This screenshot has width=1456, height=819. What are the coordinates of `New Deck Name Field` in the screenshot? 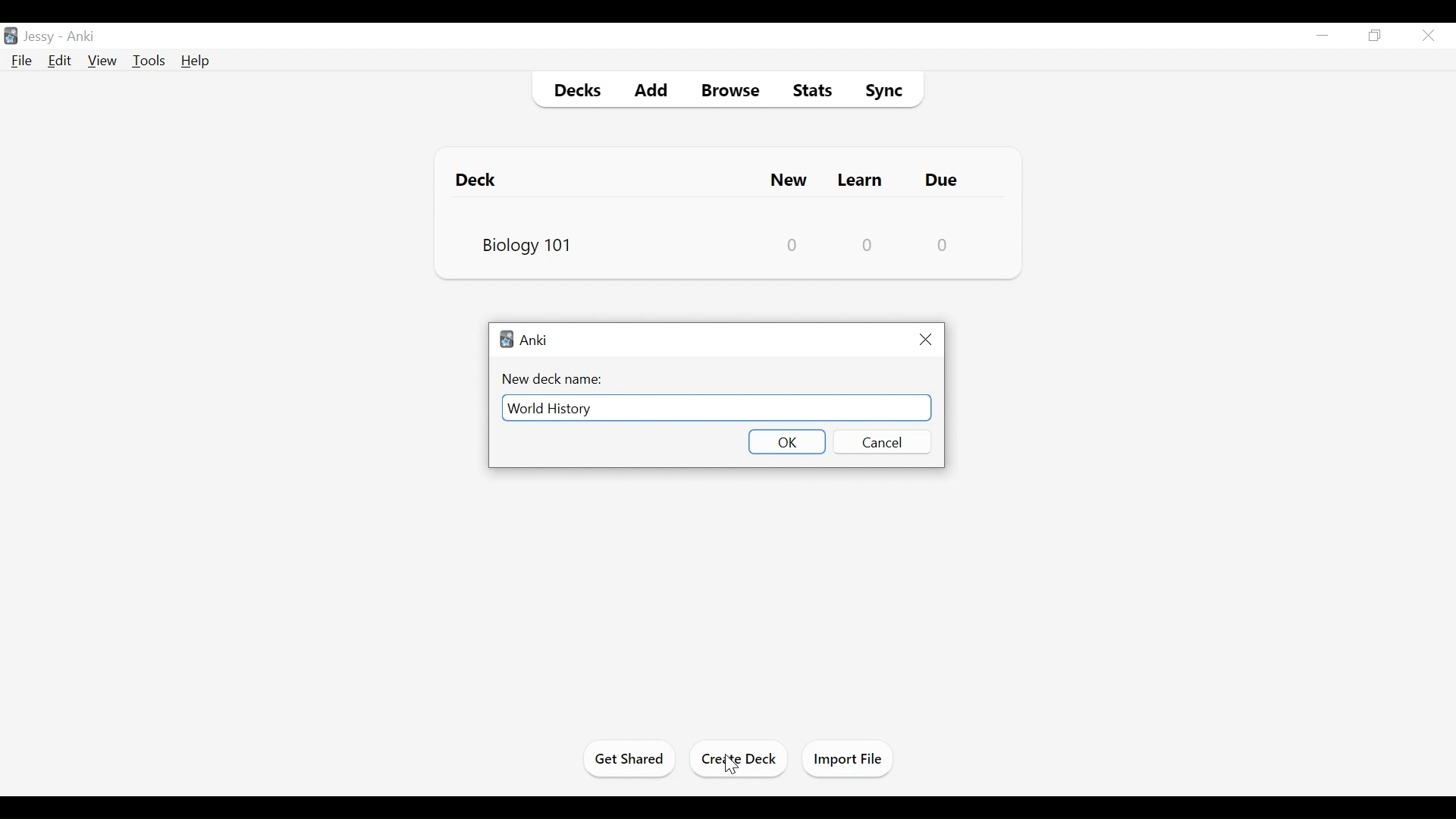 It's located at (718, 408).